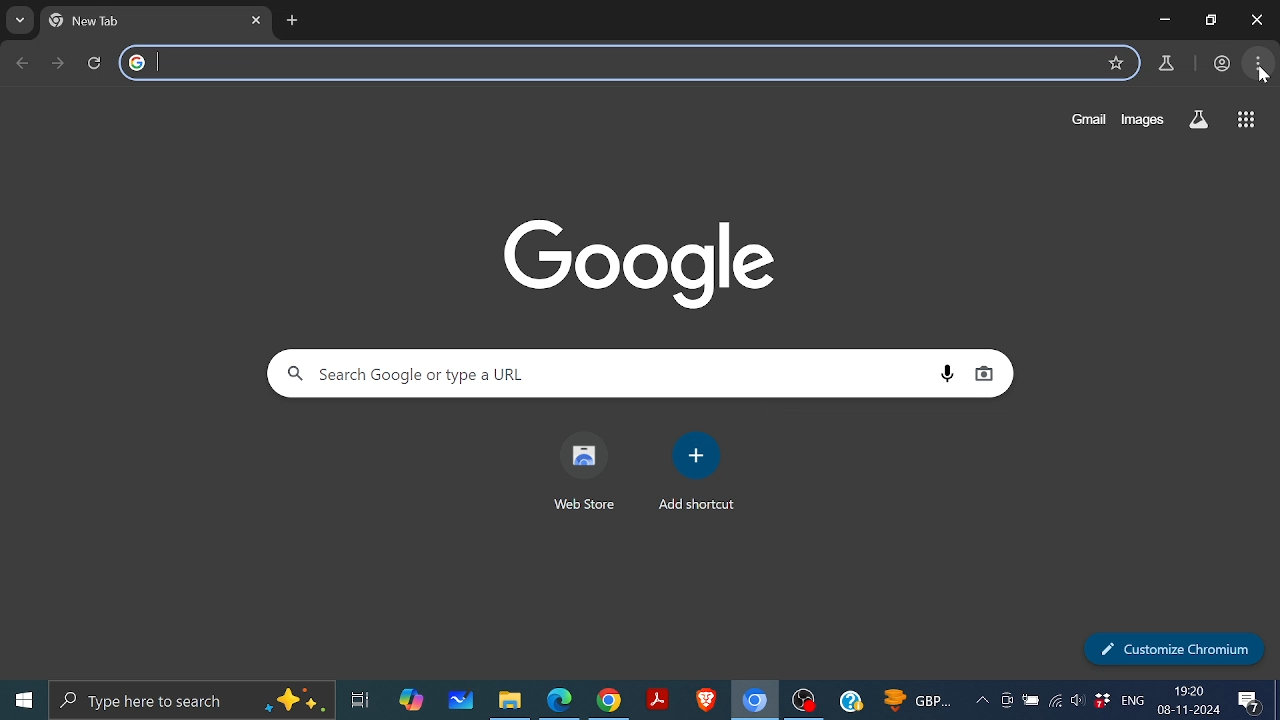 Image resolution: width=1280 pixels, height=720 pixels. Describe the element at coordinates (195, 700) in the screenshot. I see `Type here to search` at that location.